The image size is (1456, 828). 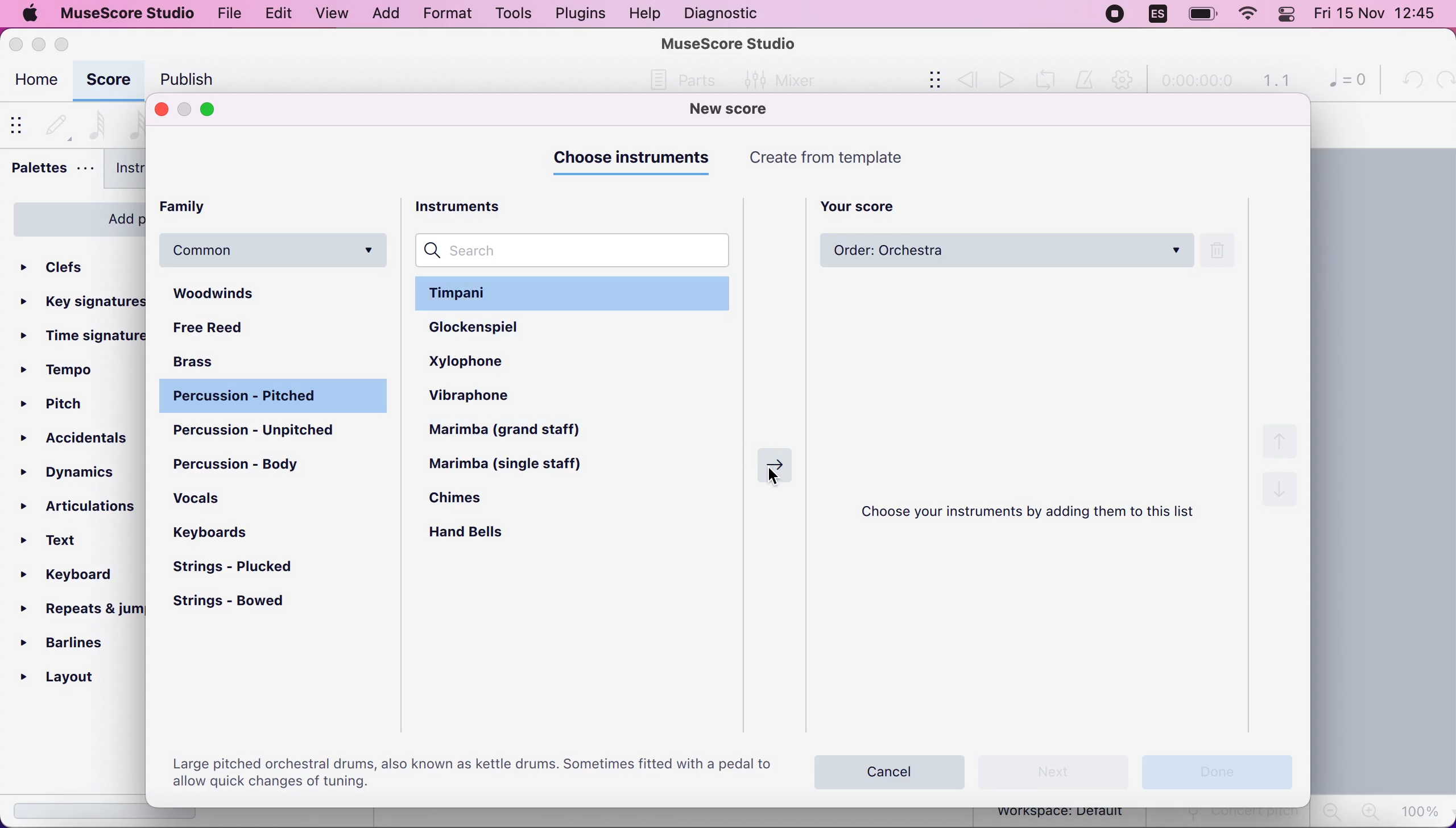 I want to click on delete, so click(x=1225, y=251).